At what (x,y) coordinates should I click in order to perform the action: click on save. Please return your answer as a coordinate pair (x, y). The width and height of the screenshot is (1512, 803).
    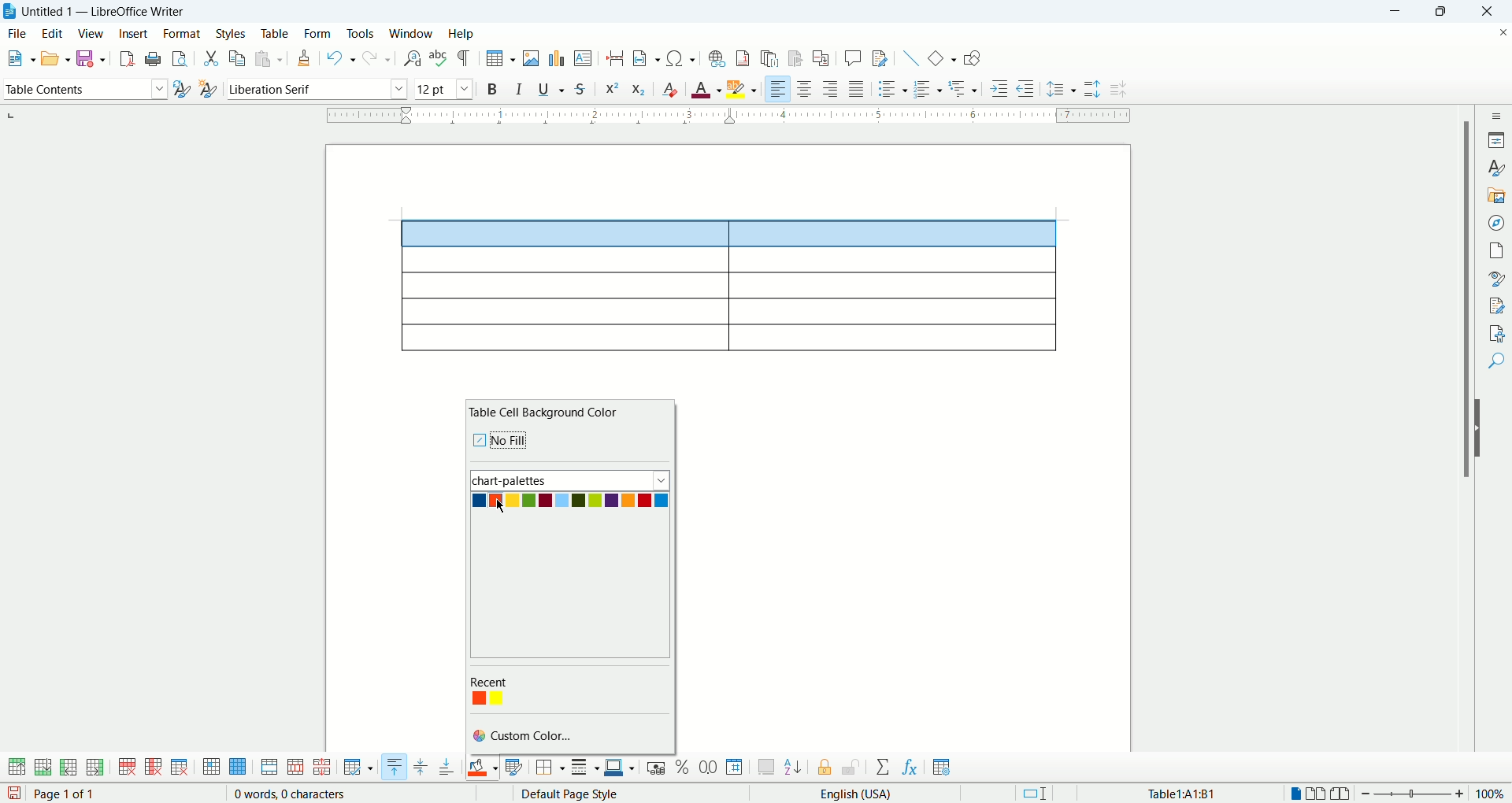
    Looking at the image, I should click on (14, 794).